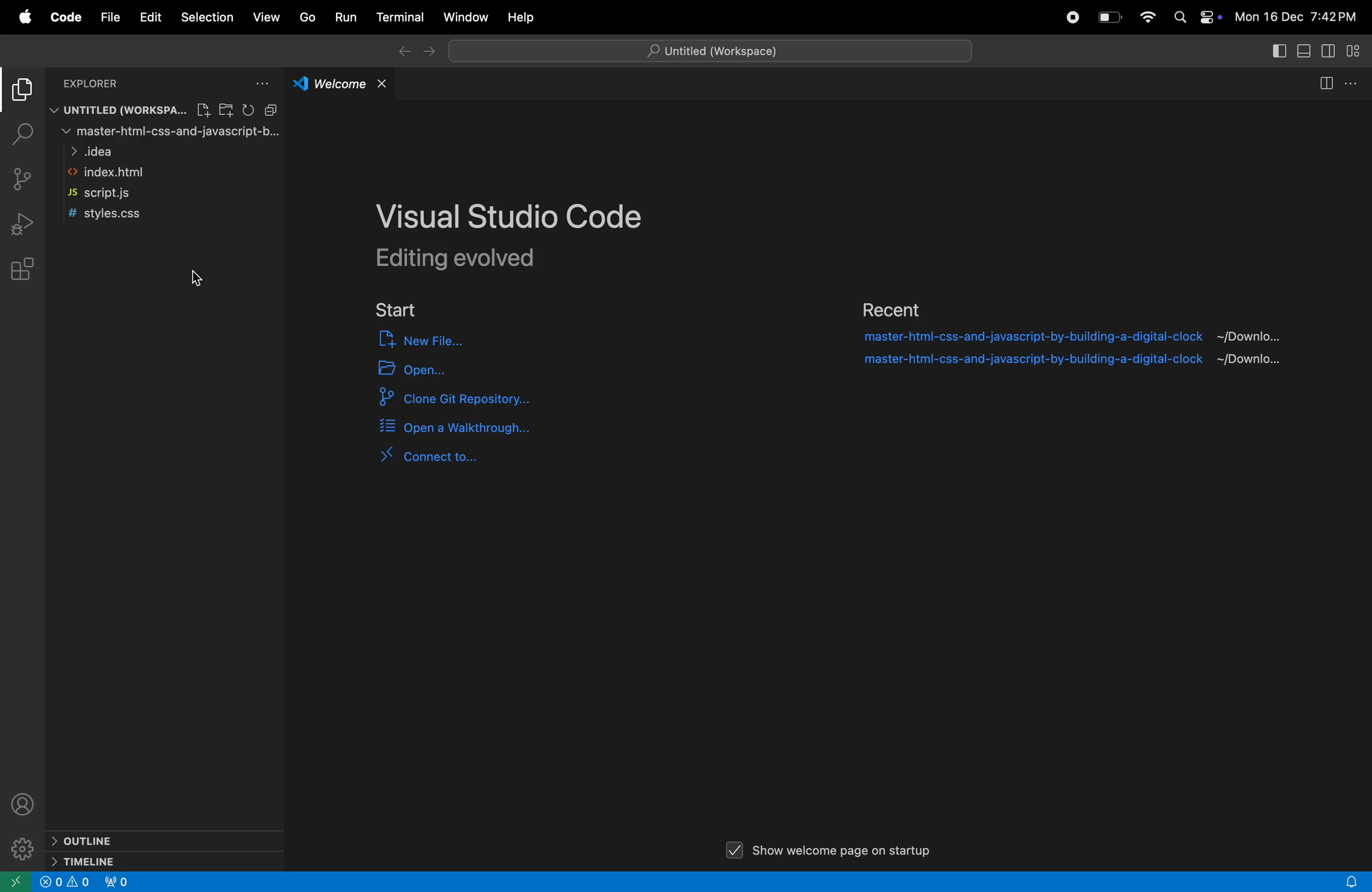 The width and height of the screenshot is (1372, 892). What do you see at coordinates (1209, 19) in the screenshot?
I see `apple widgets` at bounding box center [1209, 19].